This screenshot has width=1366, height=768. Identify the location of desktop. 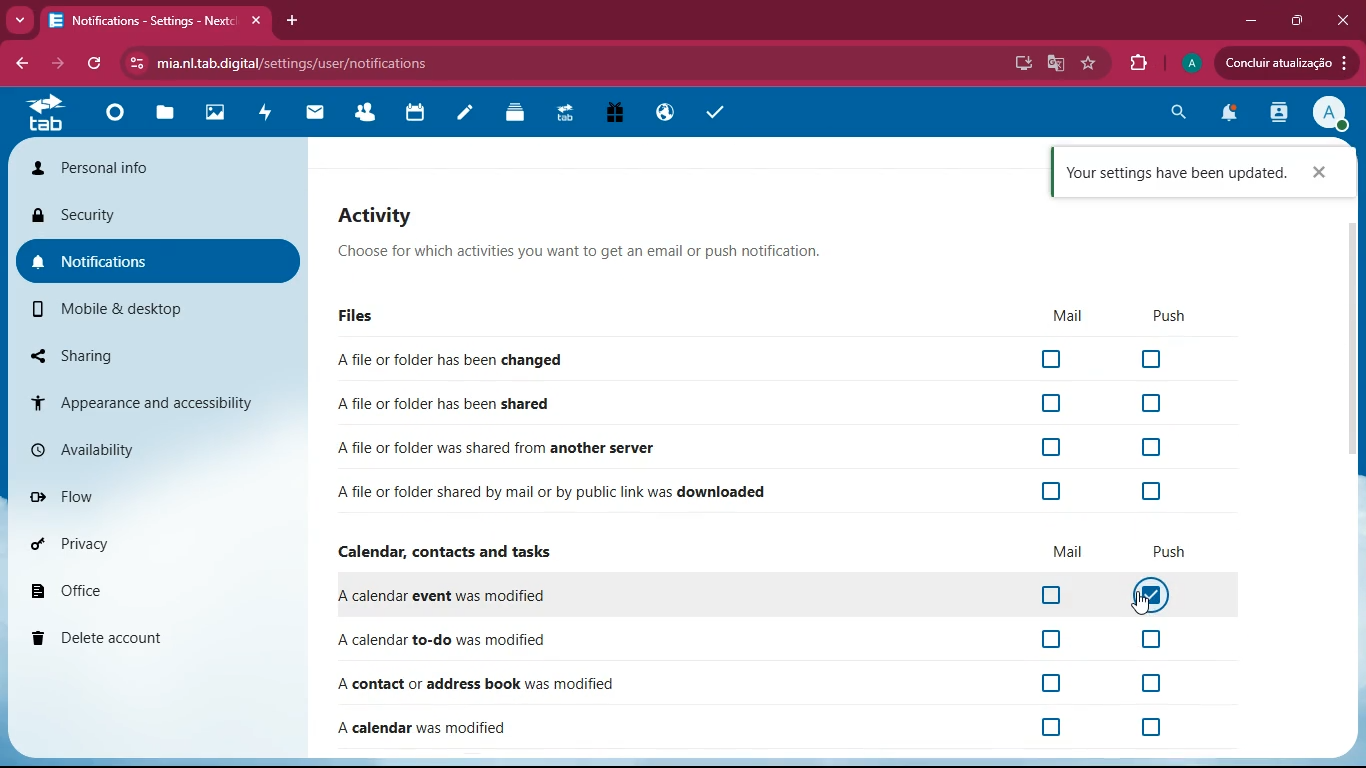
(1020, 65).